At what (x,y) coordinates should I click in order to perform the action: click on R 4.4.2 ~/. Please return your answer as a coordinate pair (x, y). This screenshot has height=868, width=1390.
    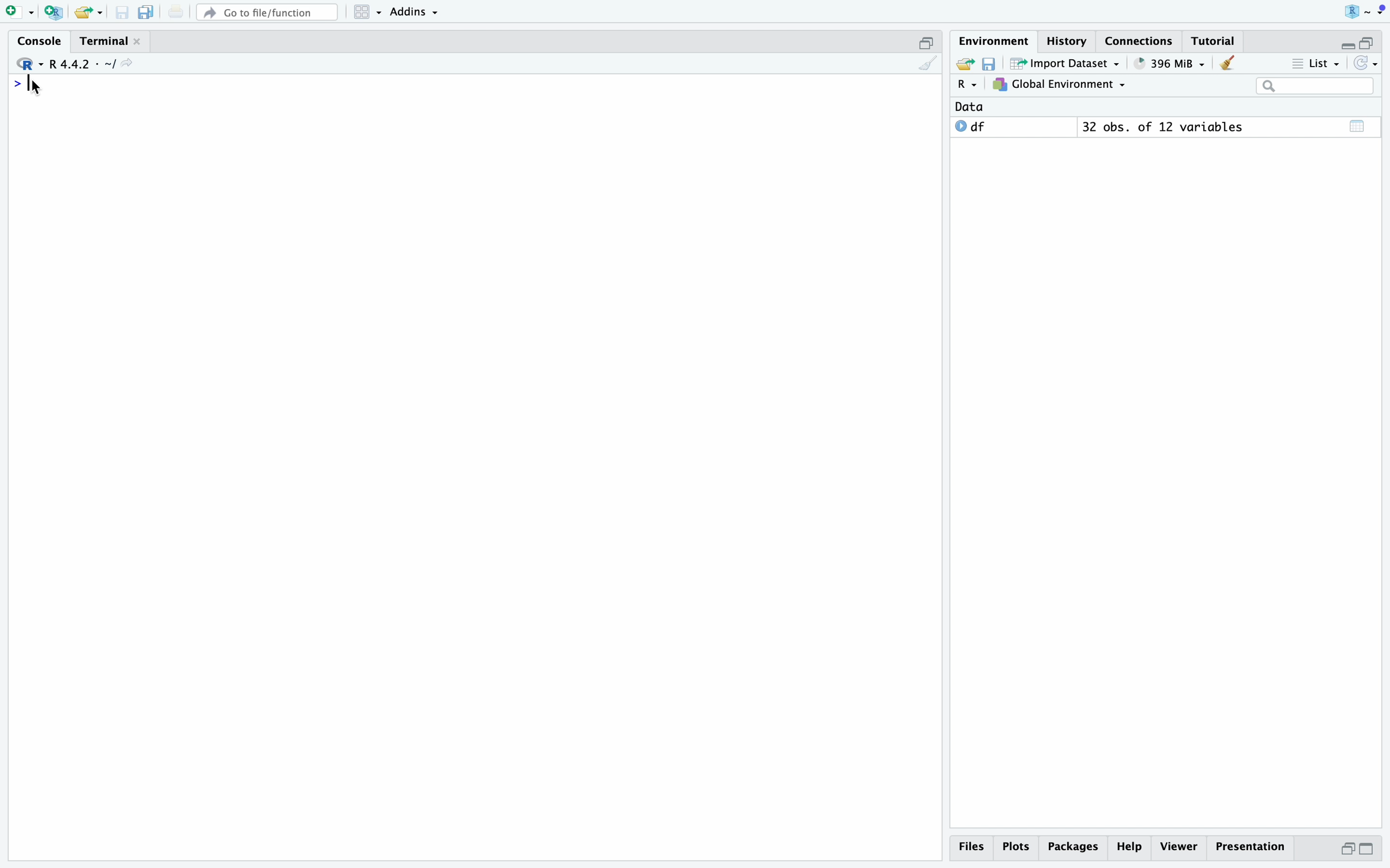
    Looking at the image, I should click on (84, 64).